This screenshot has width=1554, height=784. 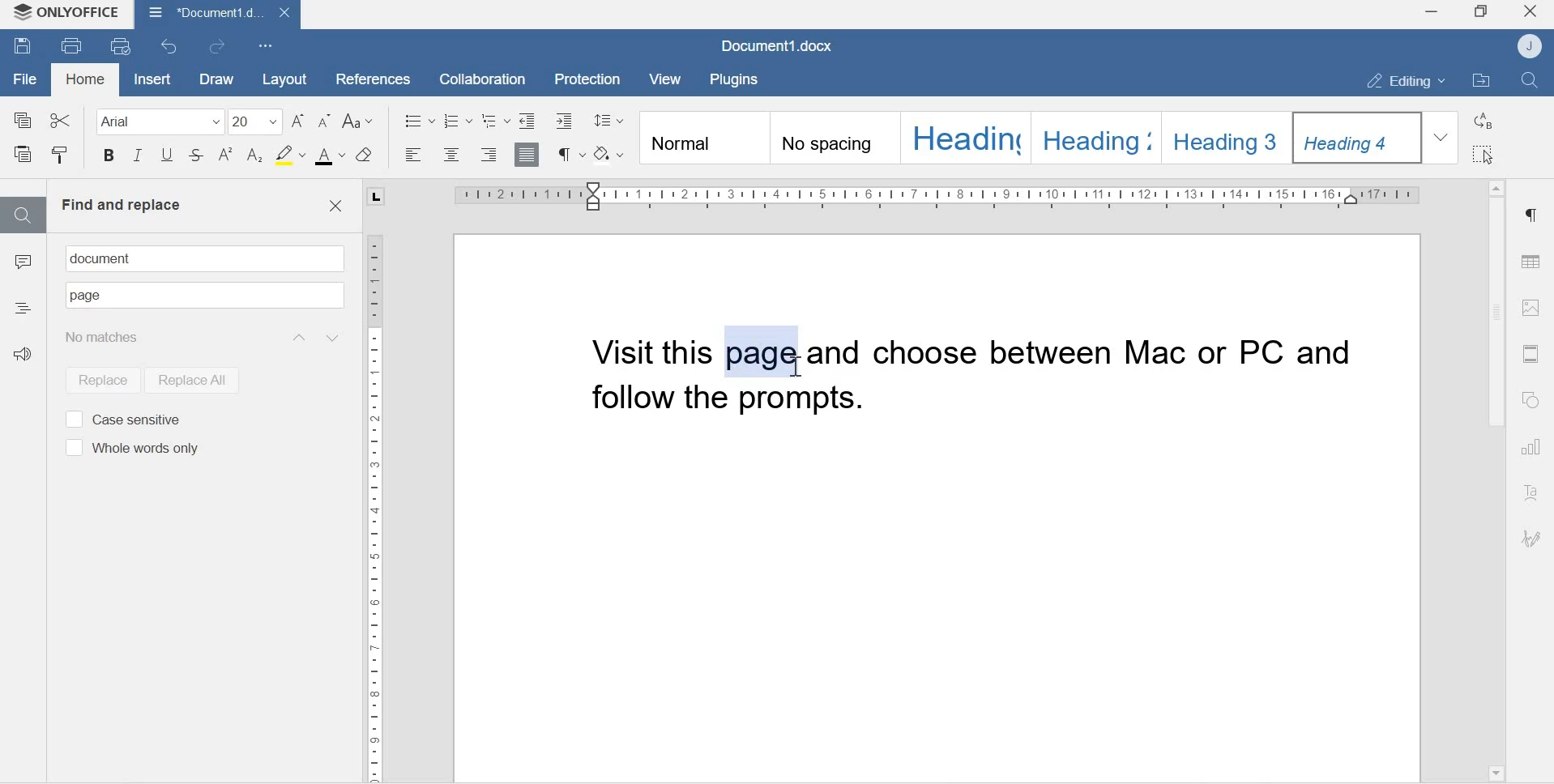 I want to click on Shading, so click(x=612, y=152).